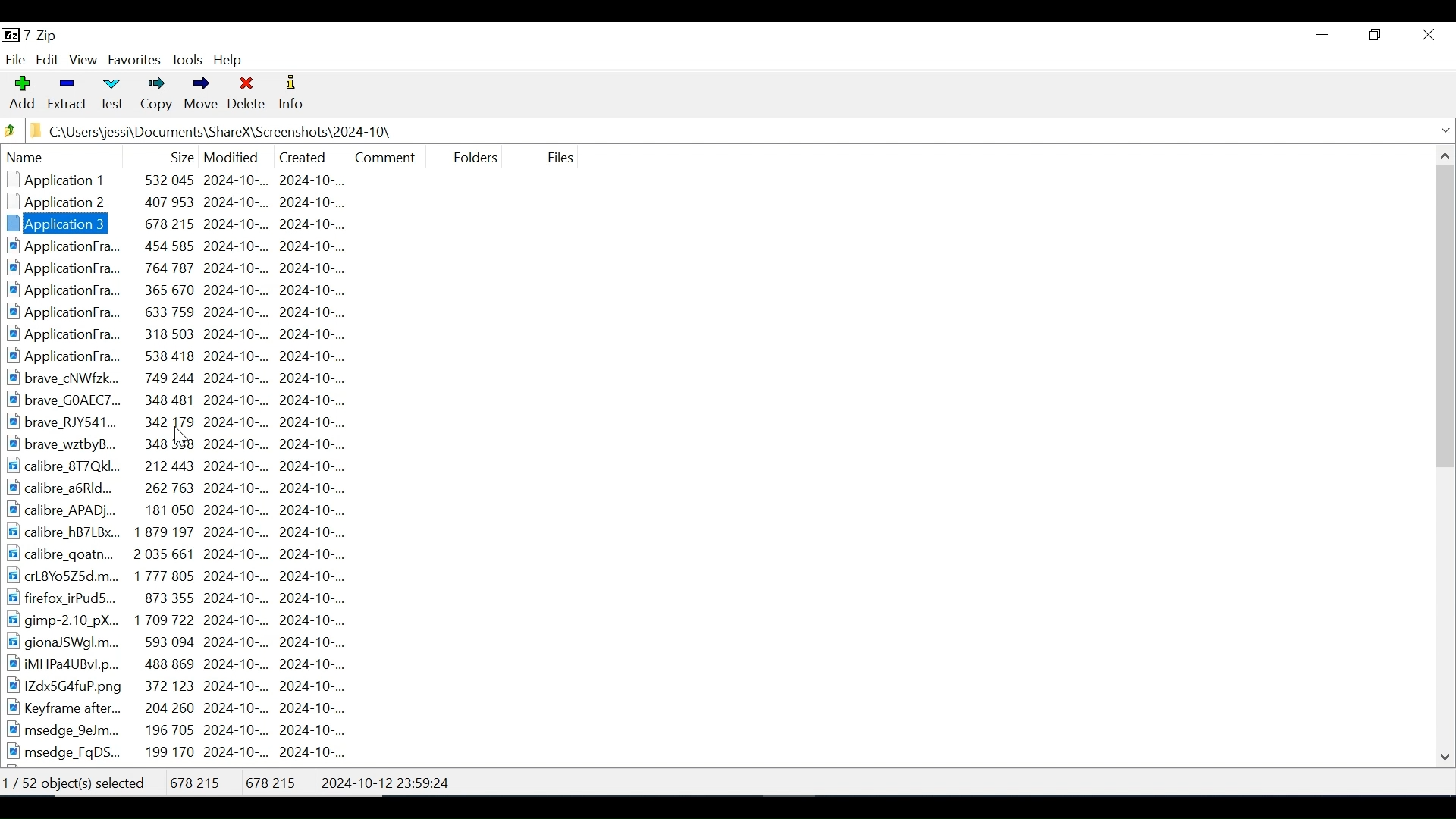  What do you see at coordinates (189, 247) in the screenshot?
I see `ApplicationFra... 454 585 2024-10-... 2024-10-...` at bounding box center [189, 247].